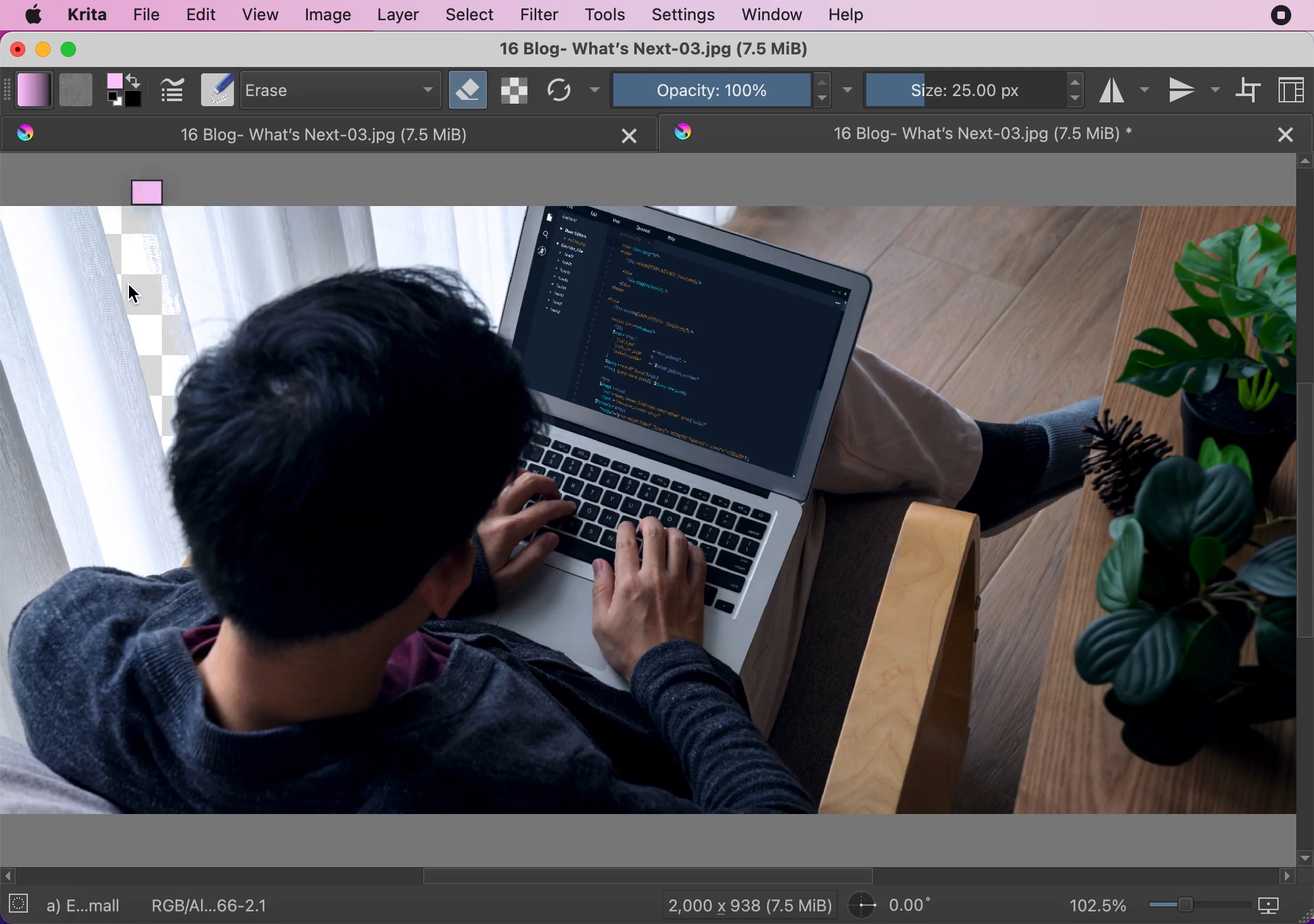  Describe the element at coordinates (557, 90) in the screenshot. I see `reload original preset` at that location.